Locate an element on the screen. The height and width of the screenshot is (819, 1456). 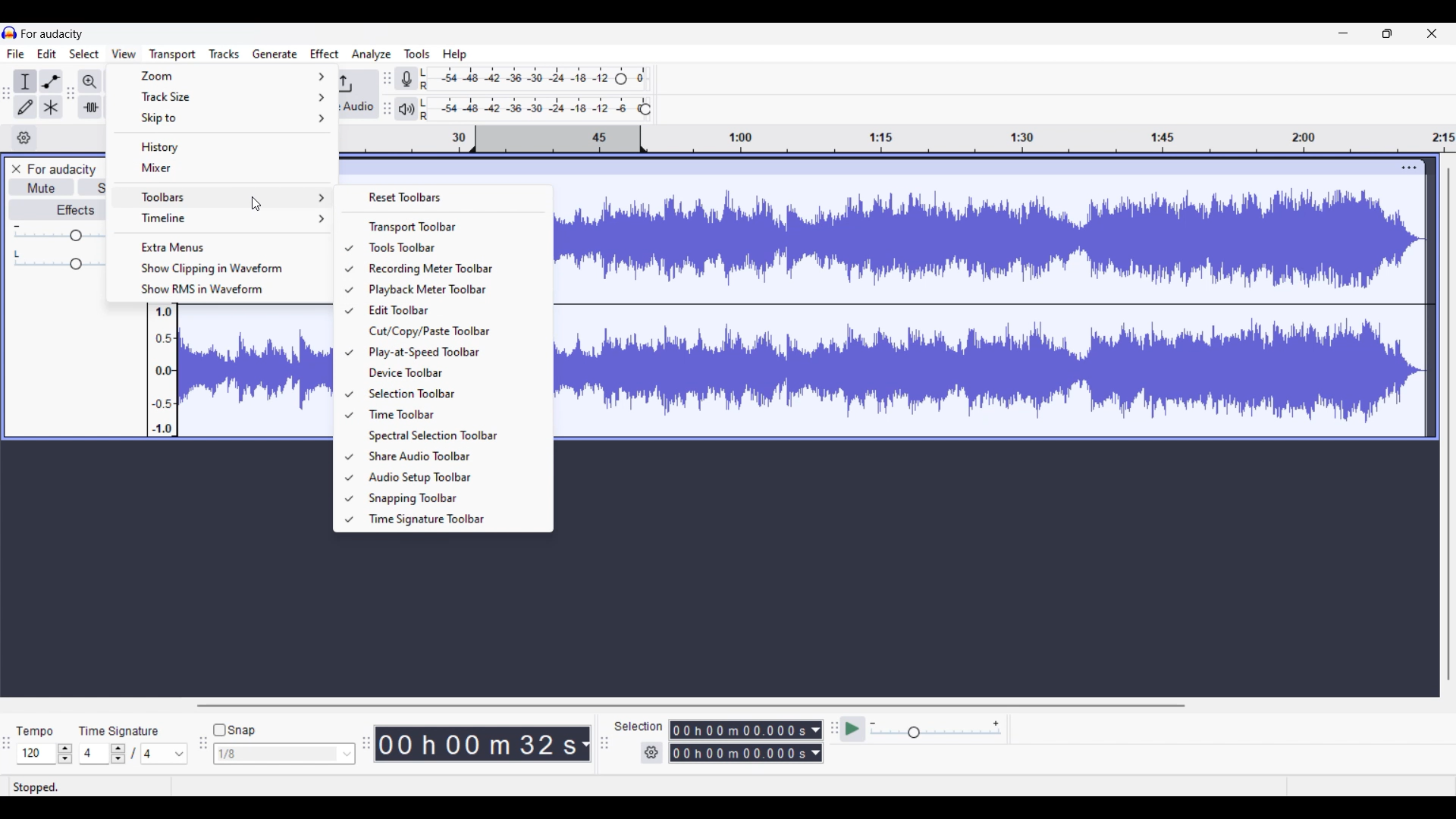
Tools toolbar is located at coordinates (451, 248).